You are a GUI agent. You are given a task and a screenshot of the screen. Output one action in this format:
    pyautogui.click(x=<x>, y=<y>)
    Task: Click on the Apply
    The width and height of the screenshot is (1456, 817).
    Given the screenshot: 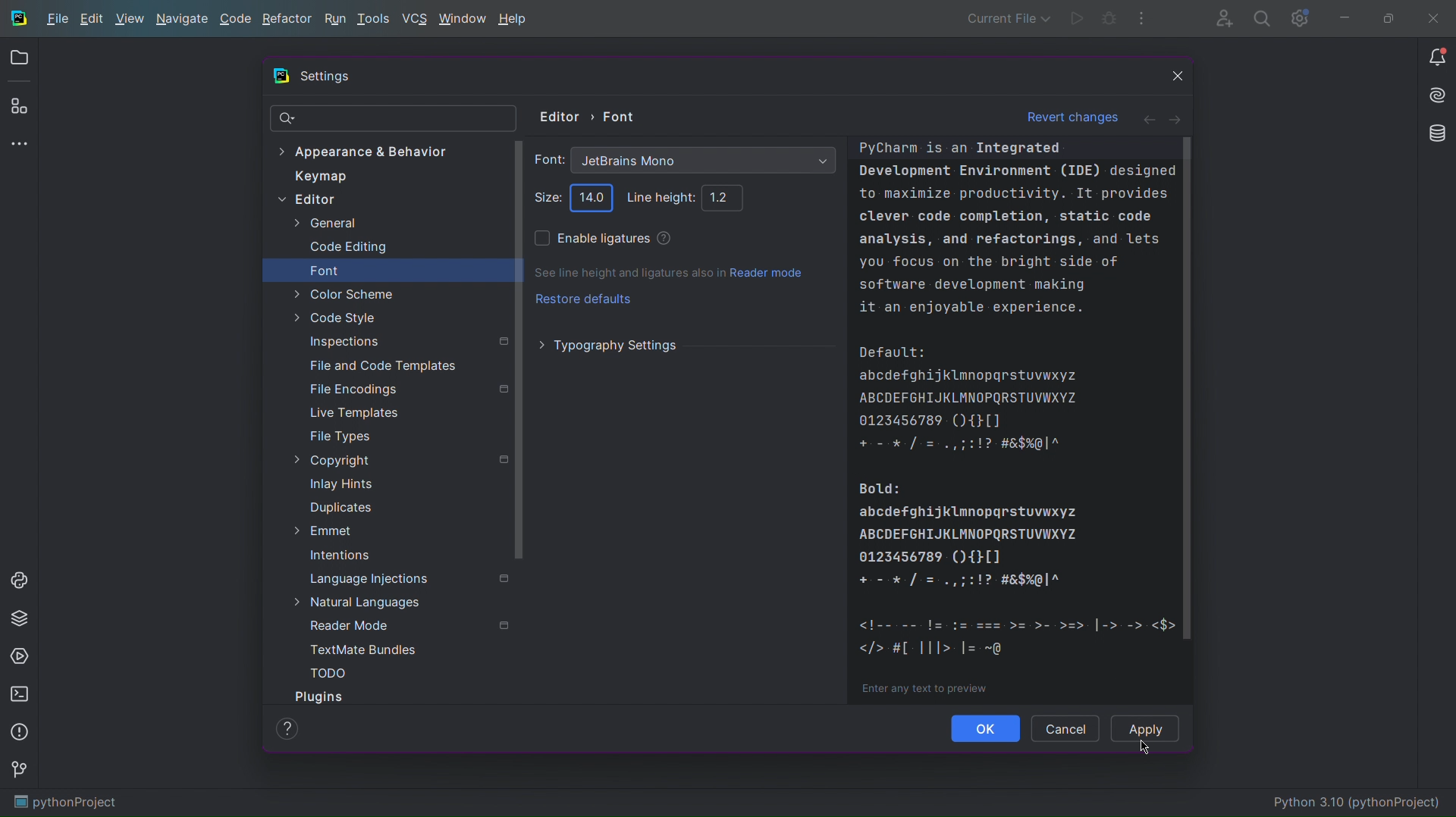 What is the action you would take?
    pyautogui.click(x=1149, y=729)
    